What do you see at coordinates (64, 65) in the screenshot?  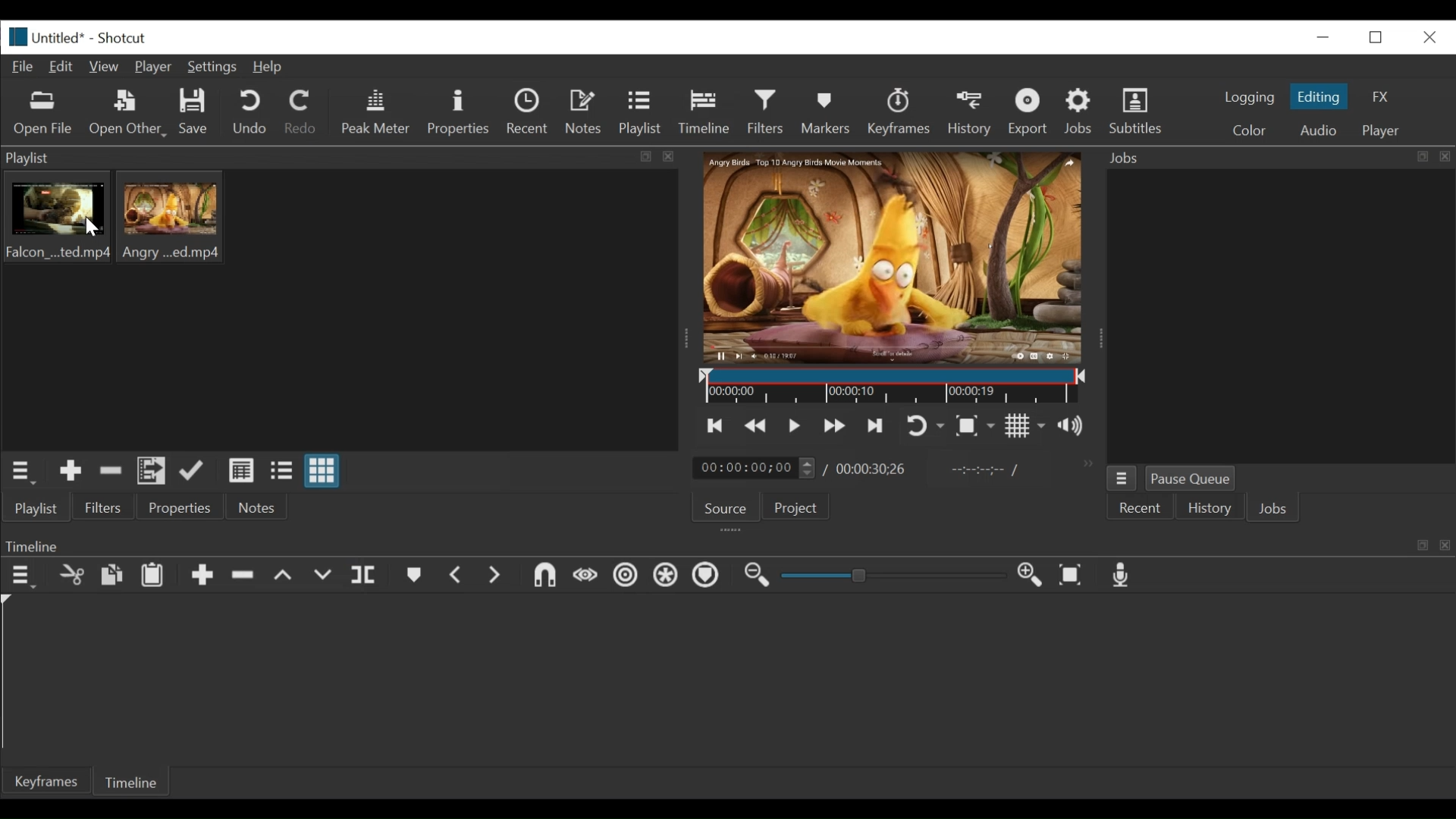 I see `Edit` at bounding box center [64, 65].